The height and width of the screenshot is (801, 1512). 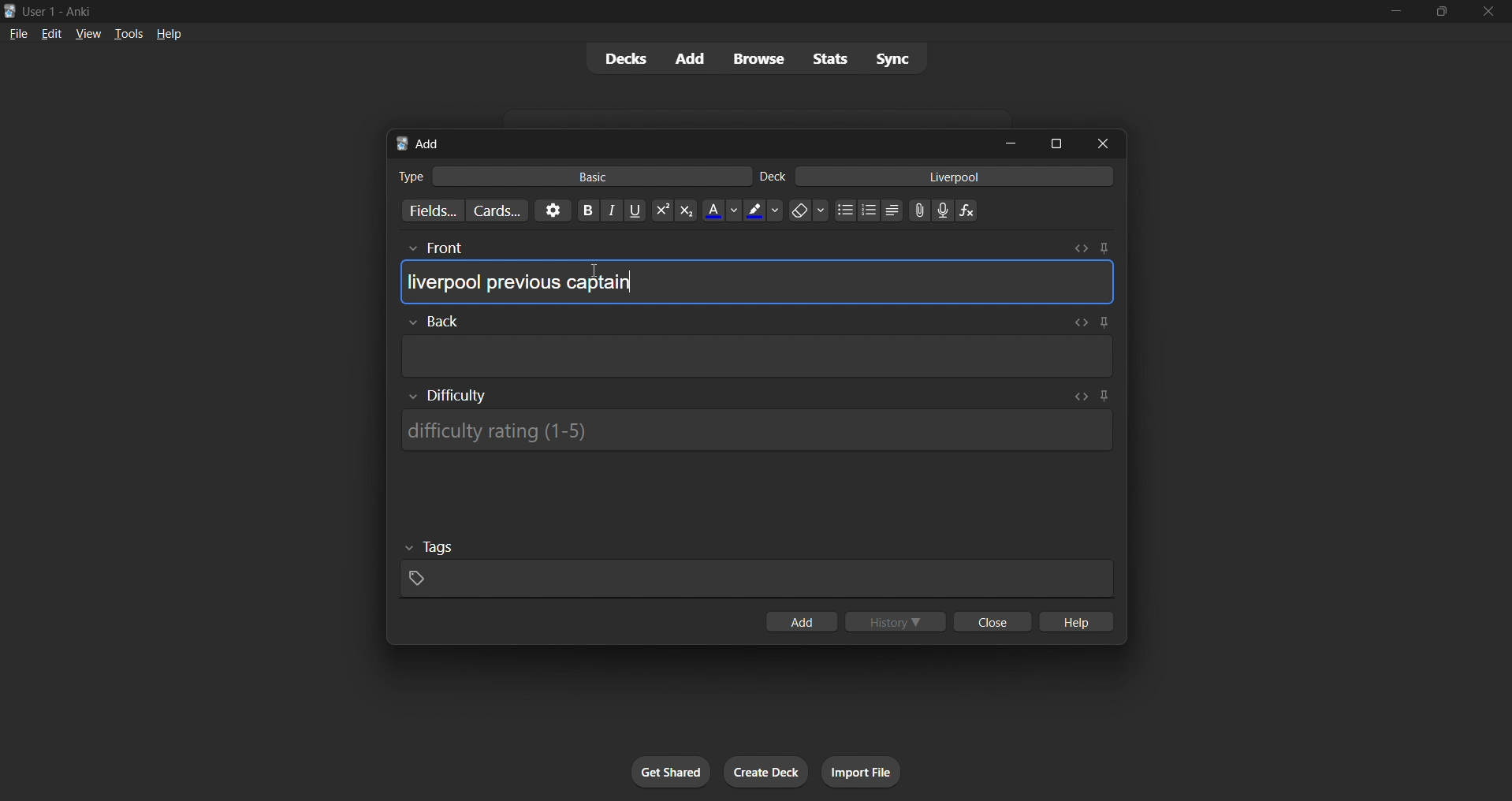 I want to click on sync, so click(x=893, y=61).